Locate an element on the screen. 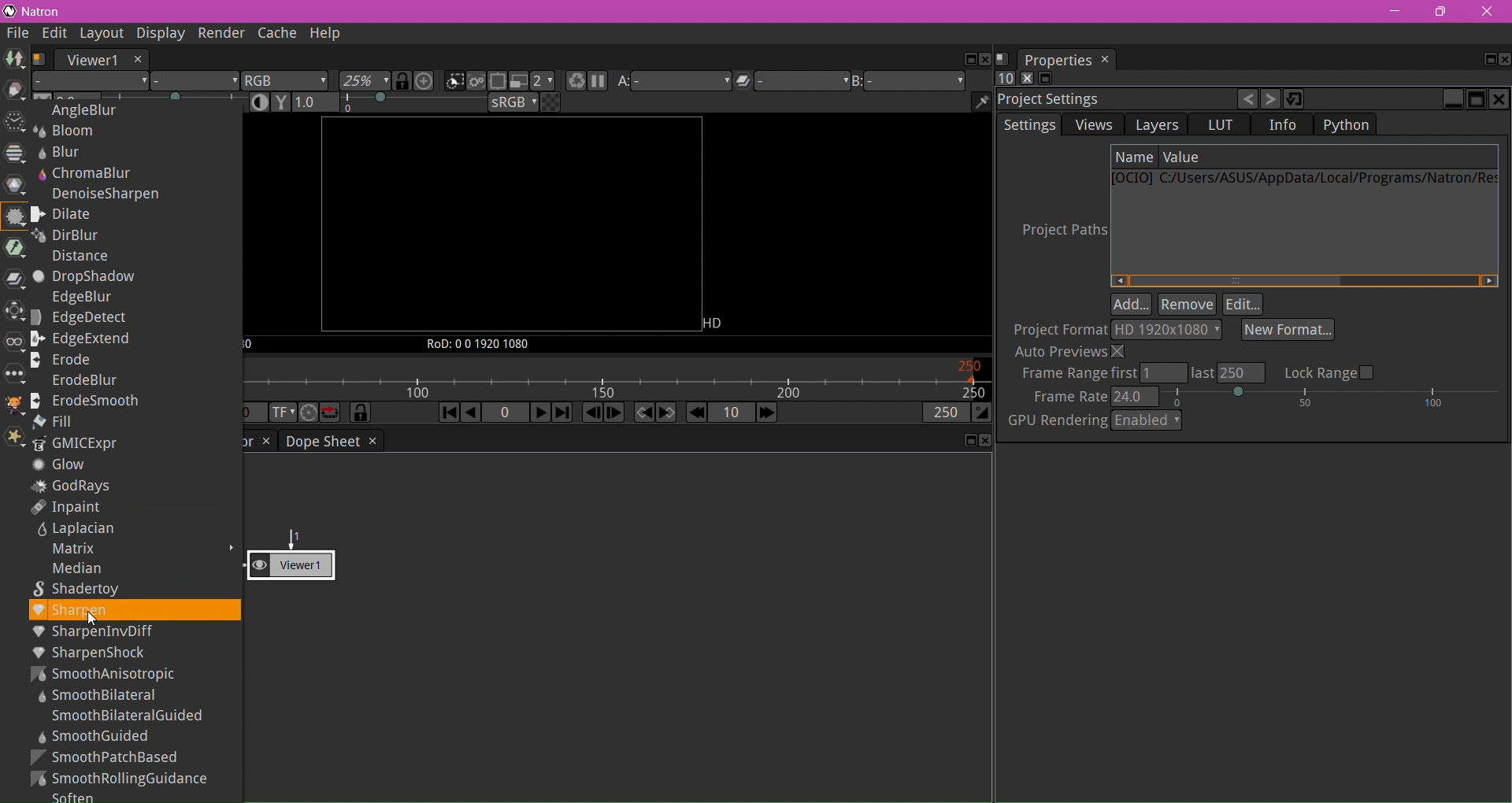 The width and height of the screenshot is (1512, 803). Glow is located at coordinates (61, 466).